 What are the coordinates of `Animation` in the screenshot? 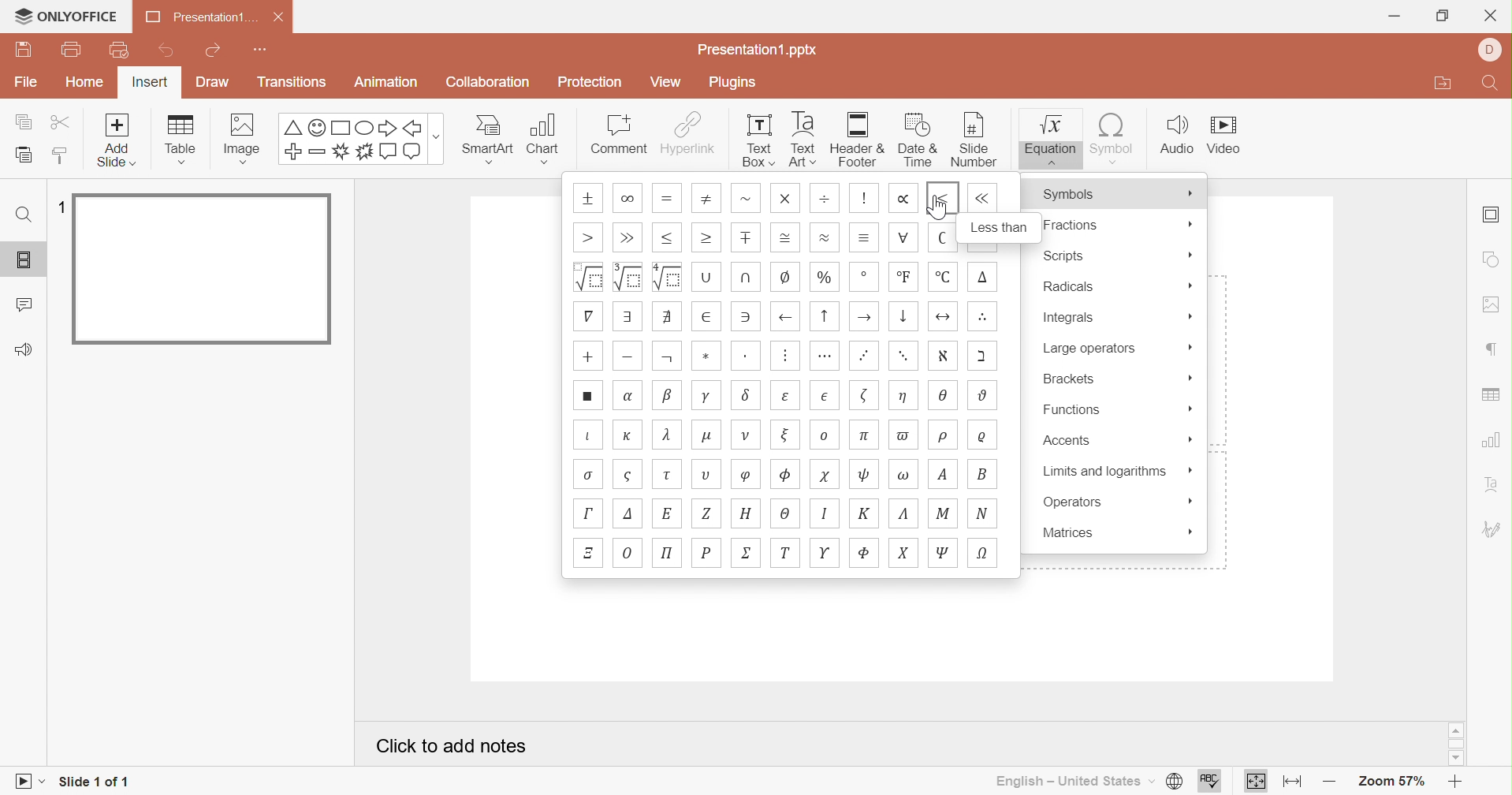 It's located at (390, 85).